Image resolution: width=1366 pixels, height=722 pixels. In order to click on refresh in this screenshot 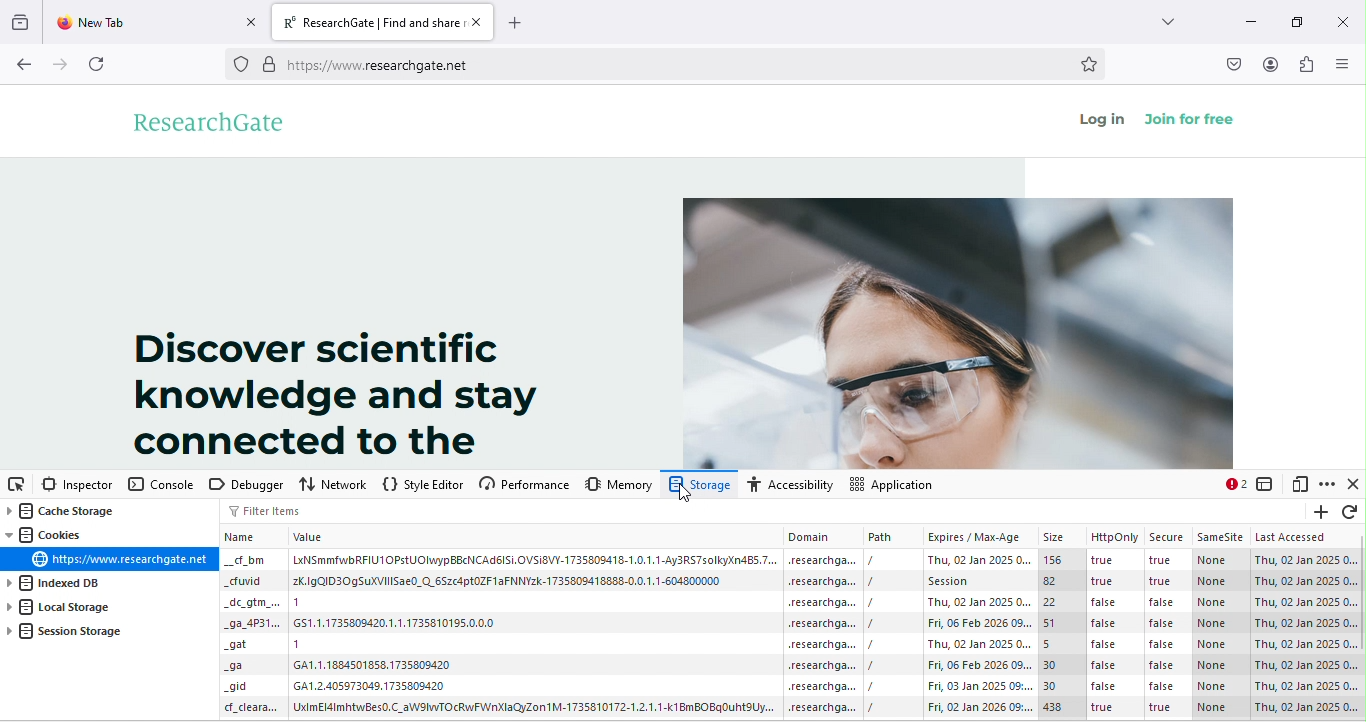, I will do `click(103, 61)`.